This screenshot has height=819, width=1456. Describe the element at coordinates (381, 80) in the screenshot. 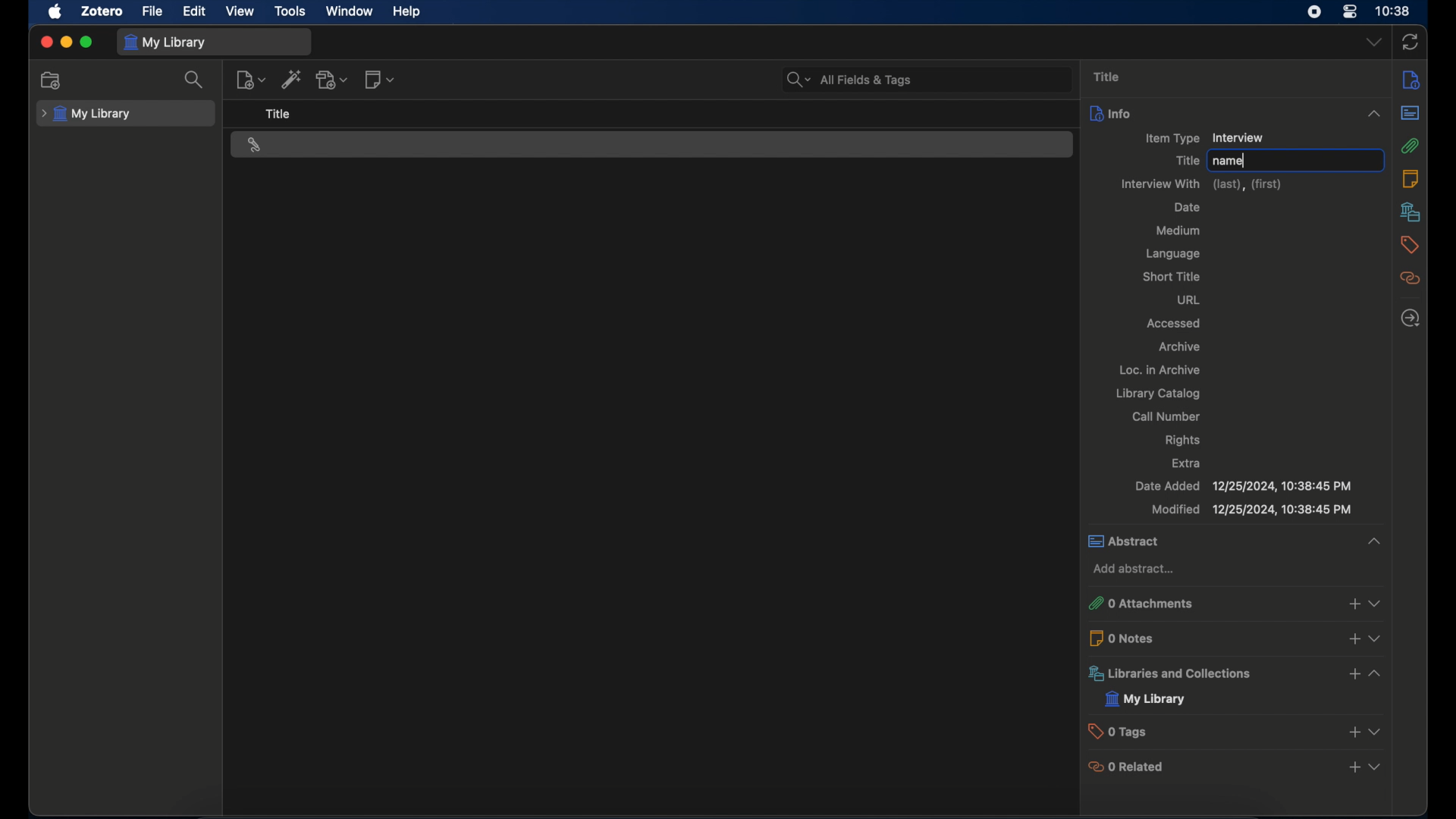

I see `new note` at that location.